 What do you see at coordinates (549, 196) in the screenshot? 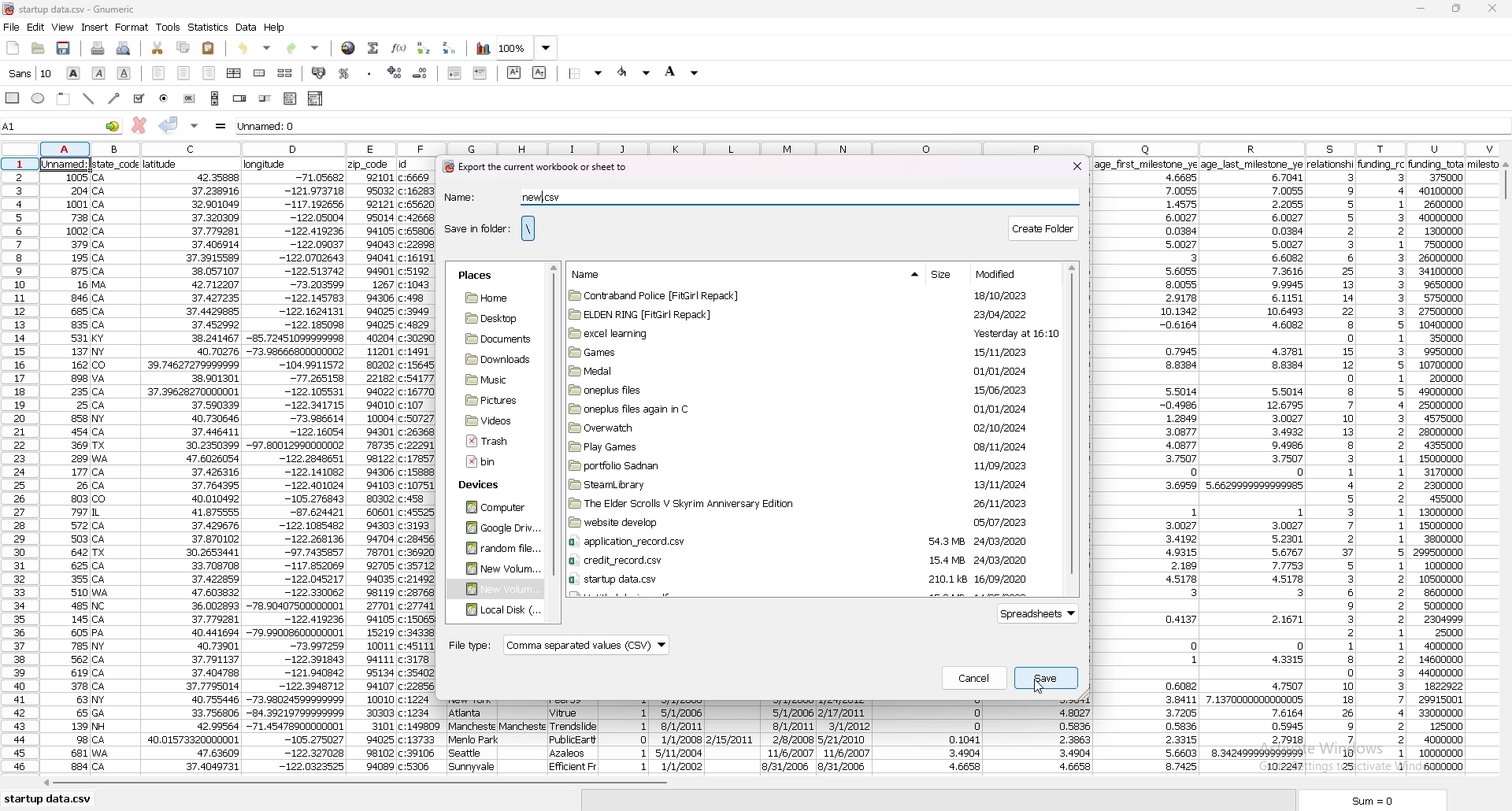
I see `file name` at bounding box center [549, 196].